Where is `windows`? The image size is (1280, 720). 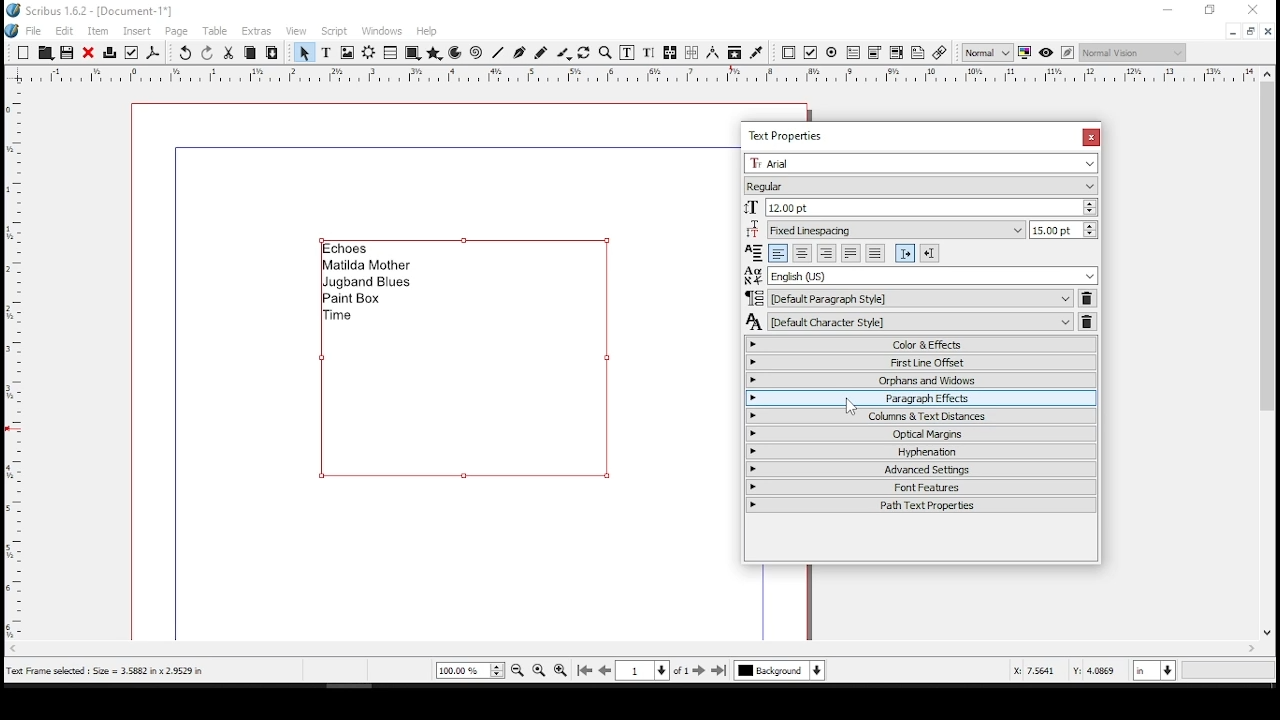 windows is located at coordinates (381, 31).